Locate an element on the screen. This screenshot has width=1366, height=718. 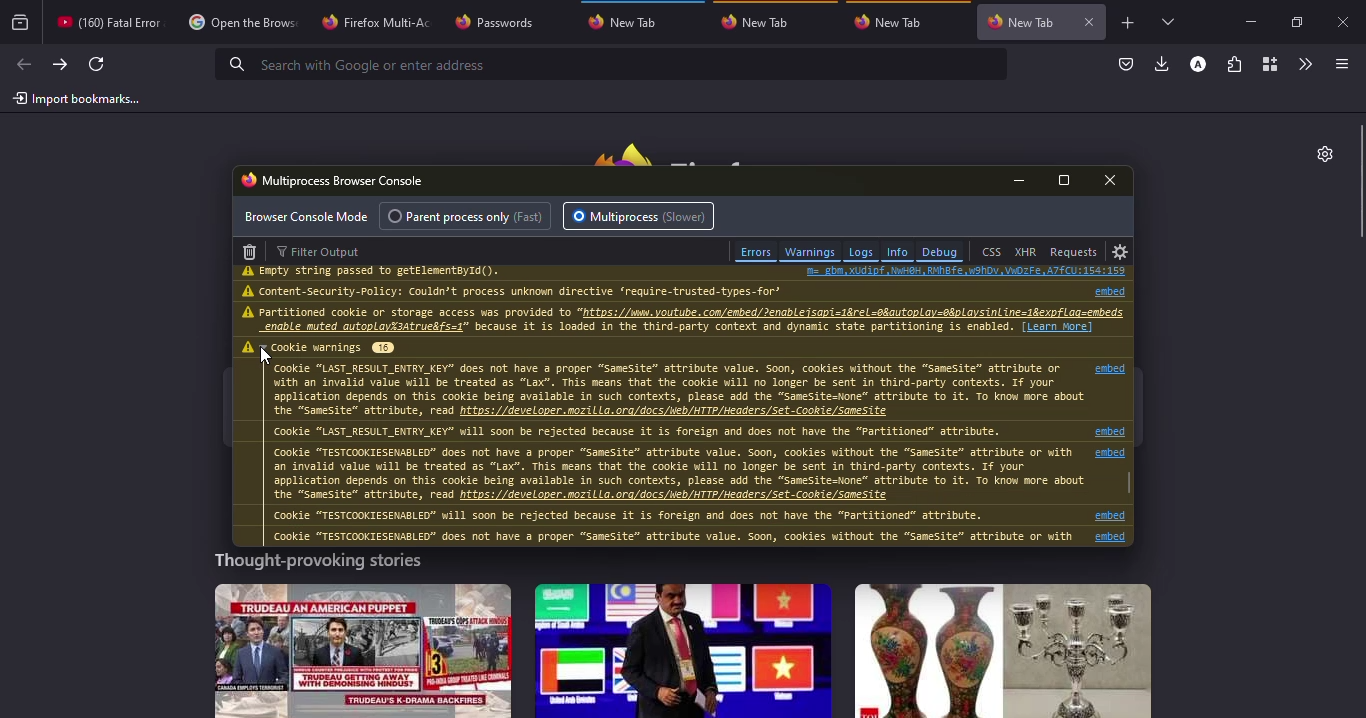
tab is located at coordinates (629, 22).